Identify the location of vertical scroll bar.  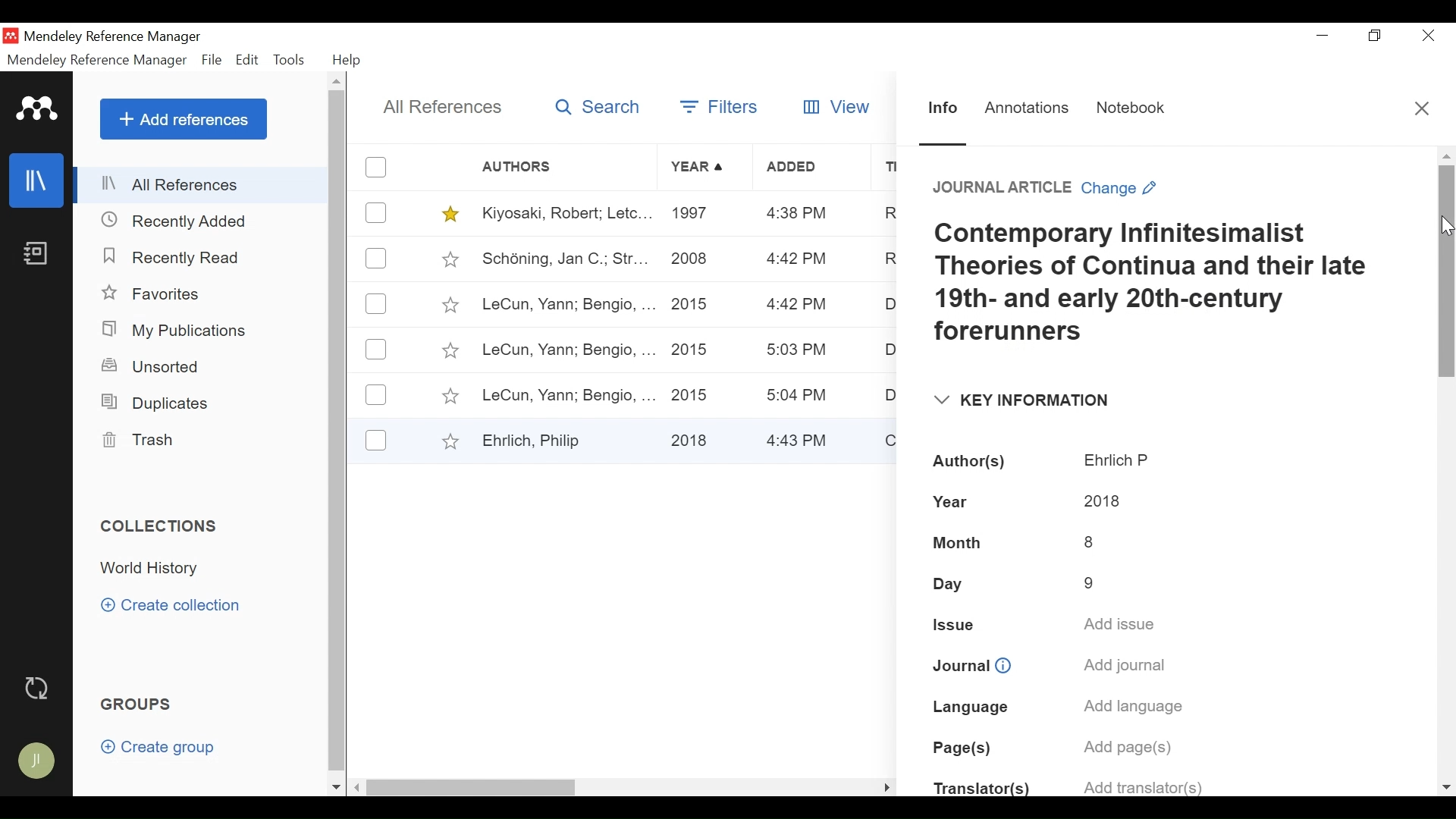
(336, 431).